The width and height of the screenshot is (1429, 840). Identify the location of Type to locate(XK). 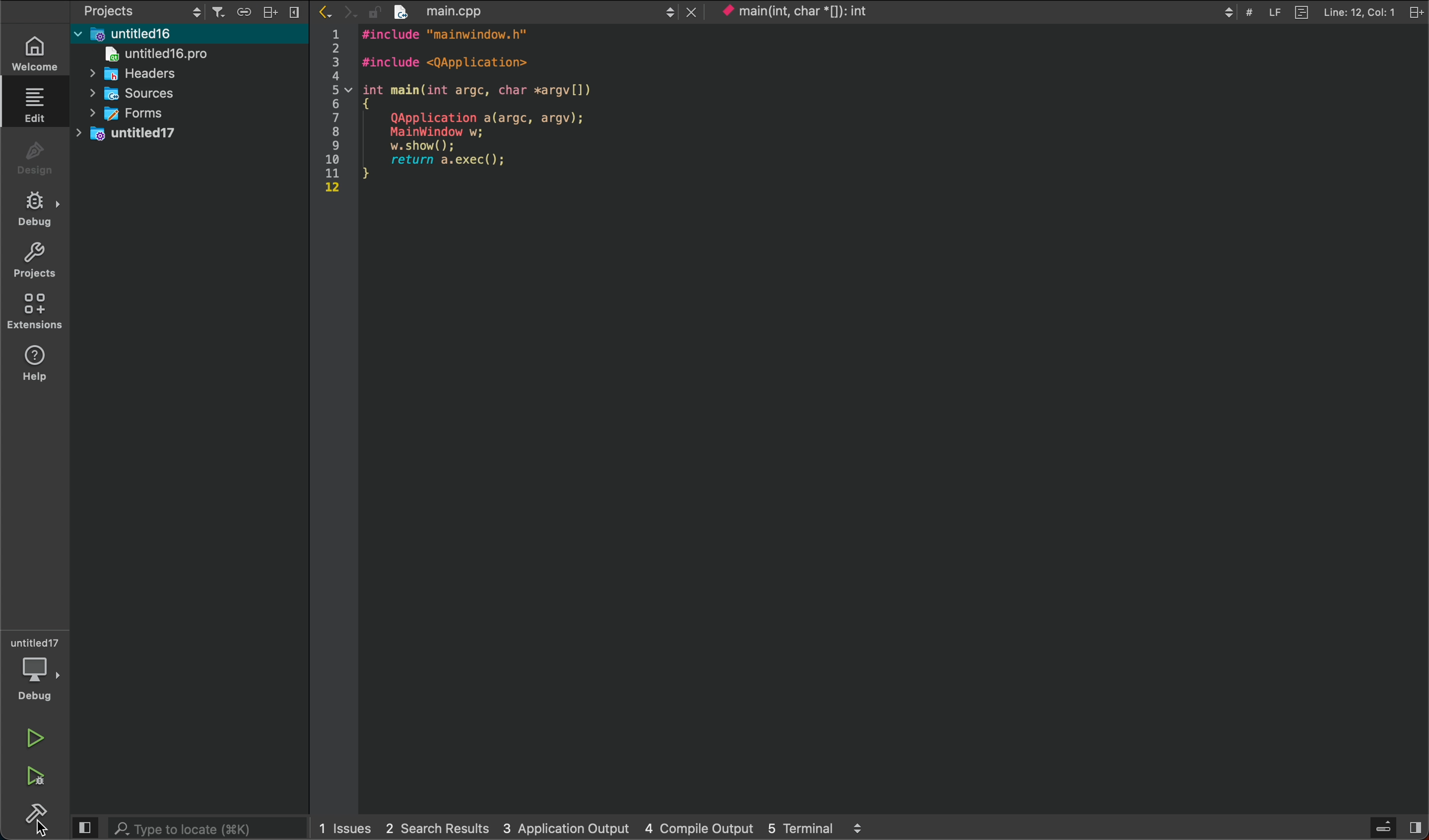
(208, 828).